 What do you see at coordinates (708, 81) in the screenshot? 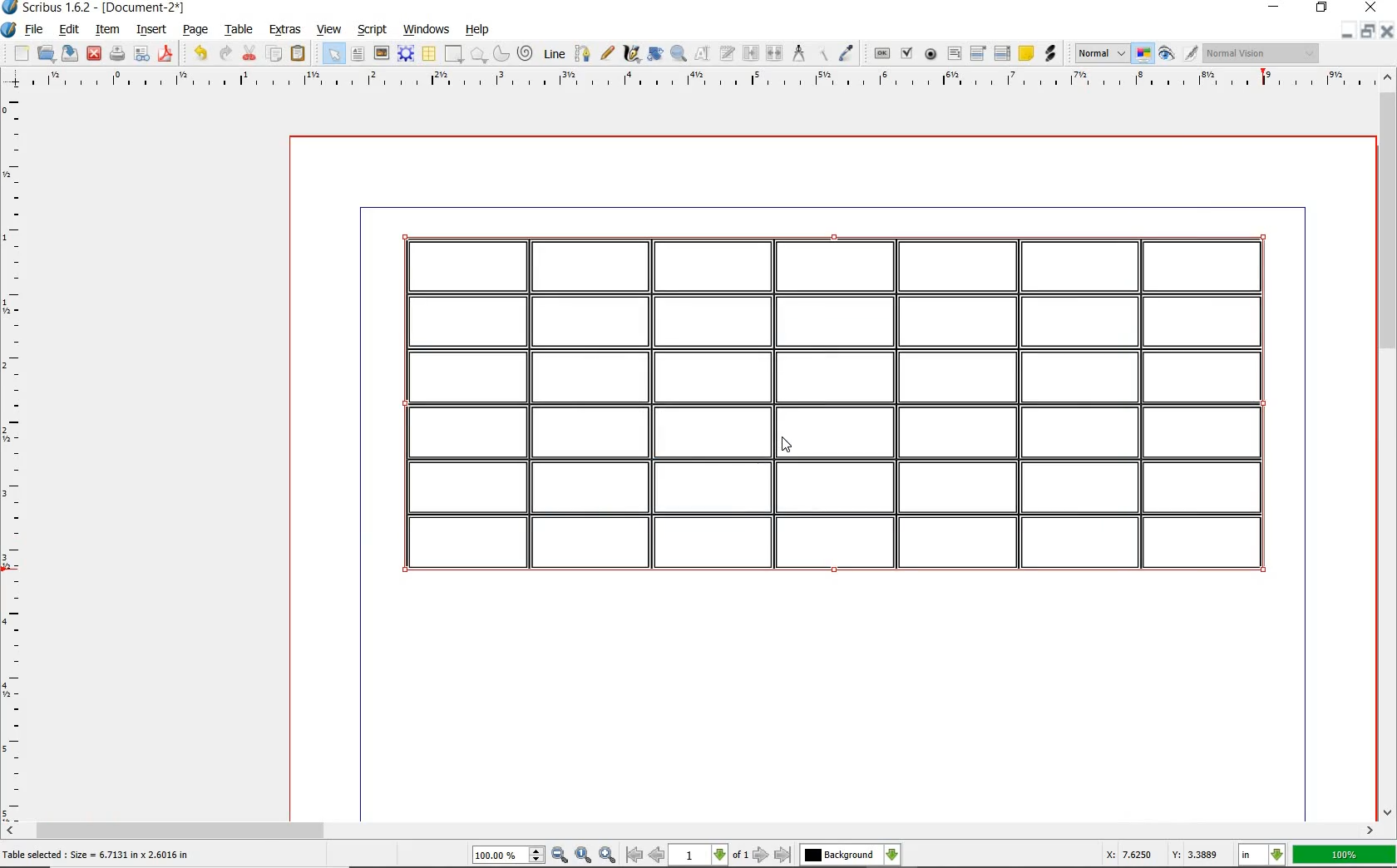
I see `ruler` at bounding box center [708, 81].